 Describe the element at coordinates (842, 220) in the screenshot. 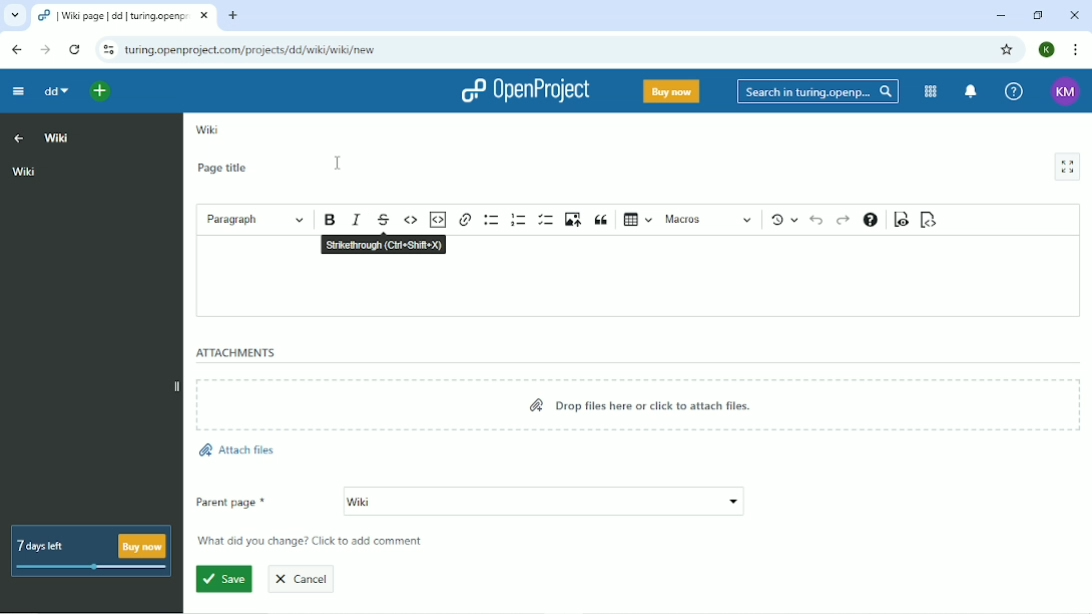

I see `Redo` at that location.